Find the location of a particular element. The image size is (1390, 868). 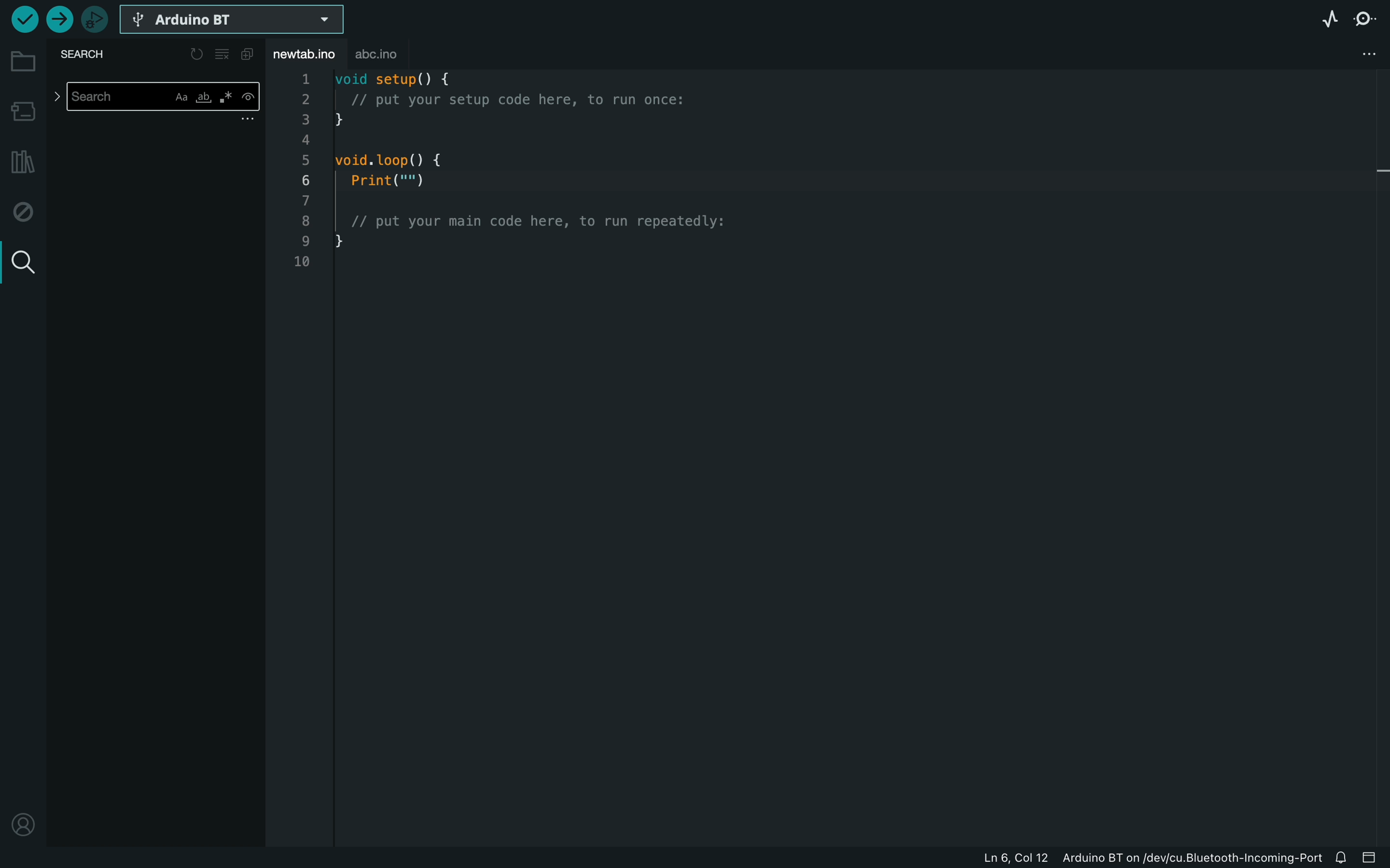

file tab is located at coordinates (308, 56).